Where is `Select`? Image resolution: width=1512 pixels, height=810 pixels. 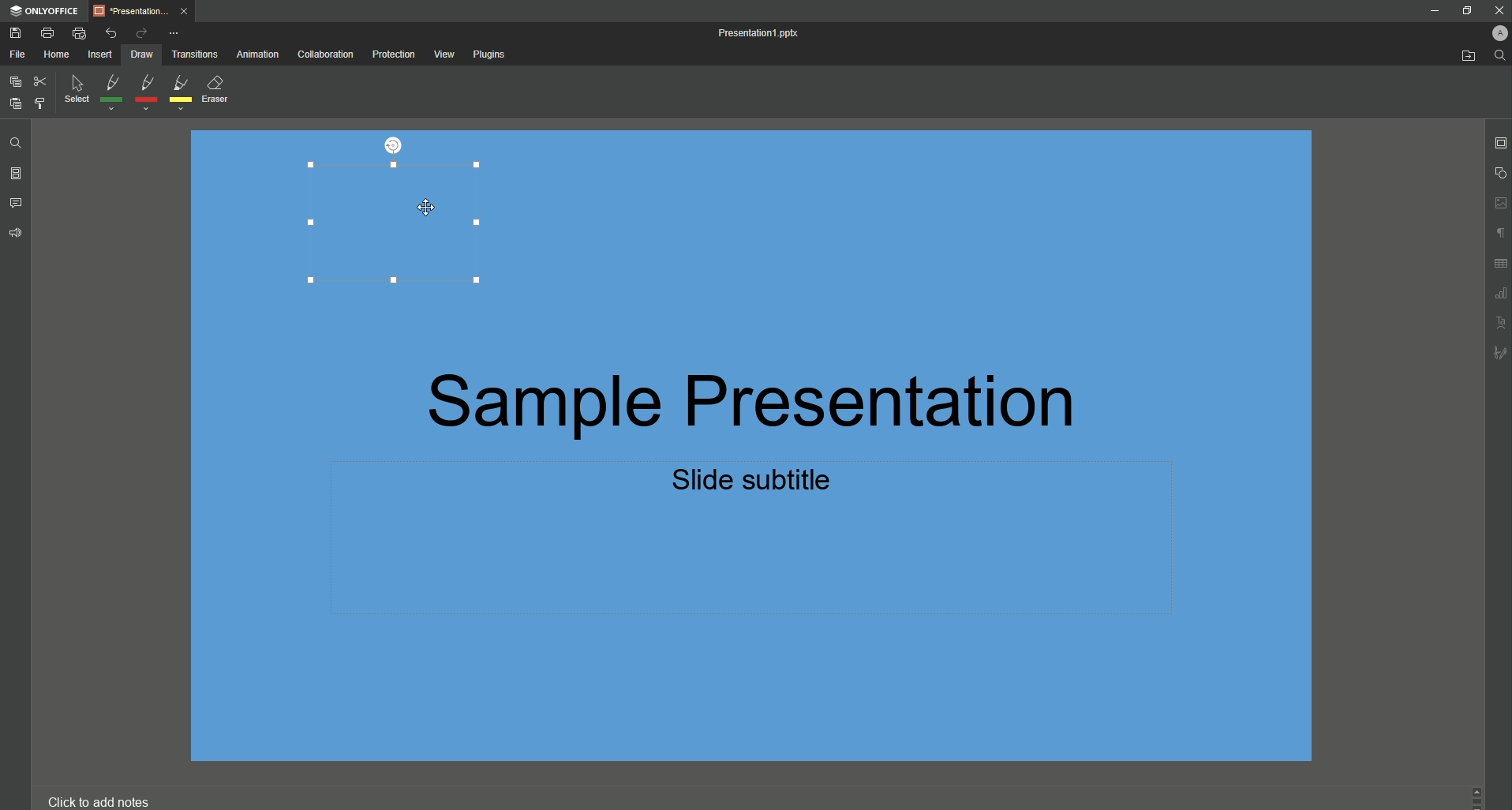 Select is located at coordinates (75, 92).